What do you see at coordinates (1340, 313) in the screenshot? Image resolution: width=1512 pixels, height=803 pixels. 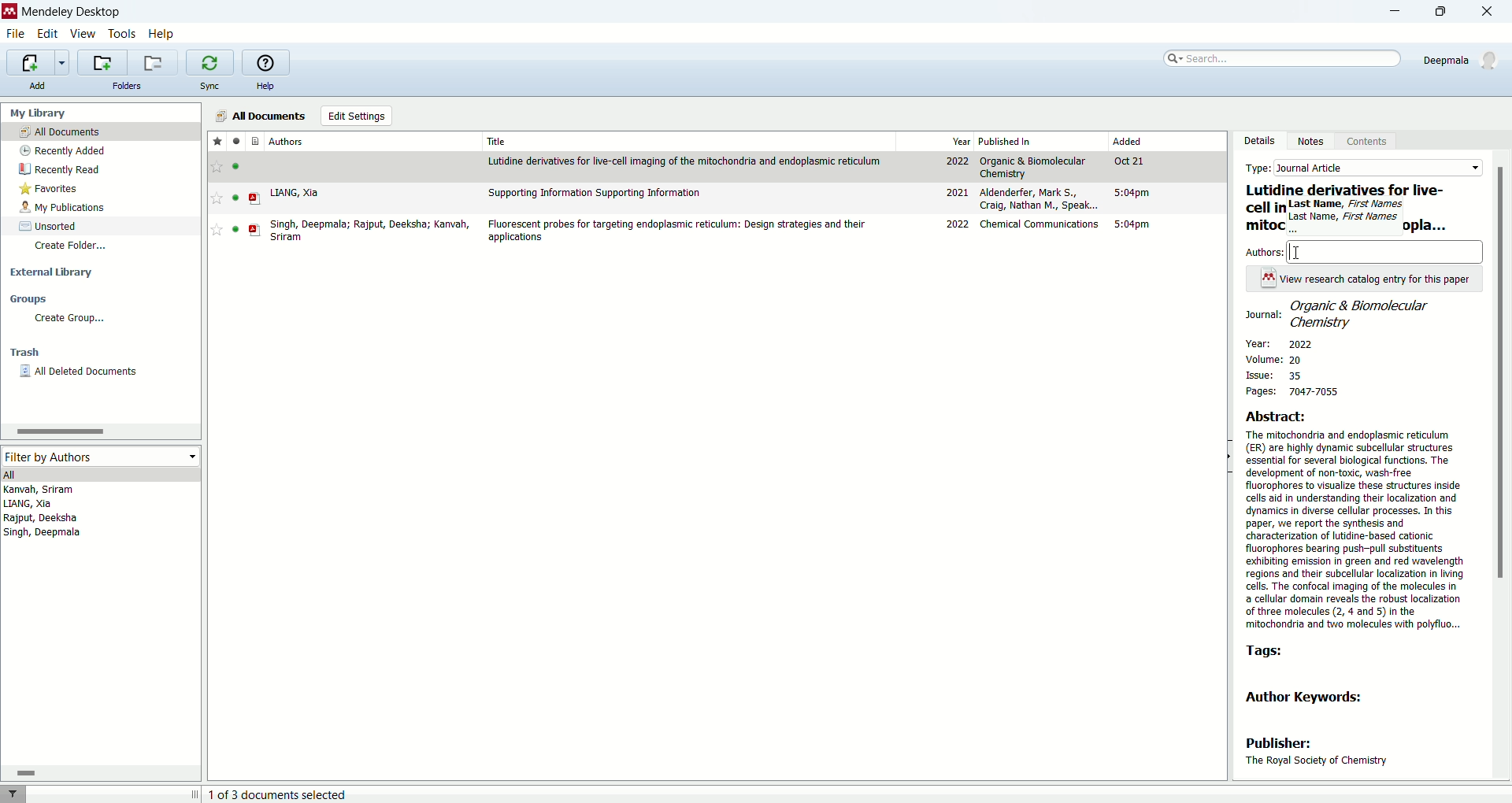 I see `. Organic & Biomolecular
Journal: Cy mitry` at bounding box center [1340, 313].